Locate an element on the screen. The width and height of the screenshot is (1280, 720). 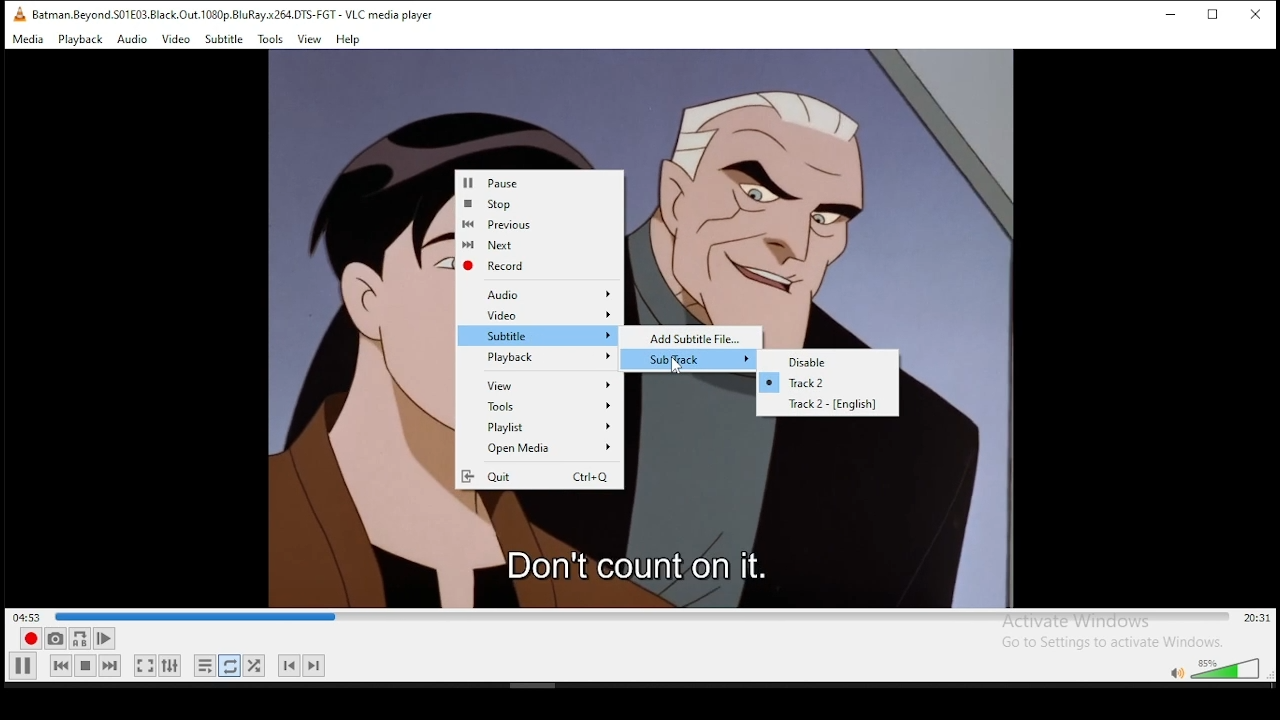
fast forward is located at coordinates (111, 667).